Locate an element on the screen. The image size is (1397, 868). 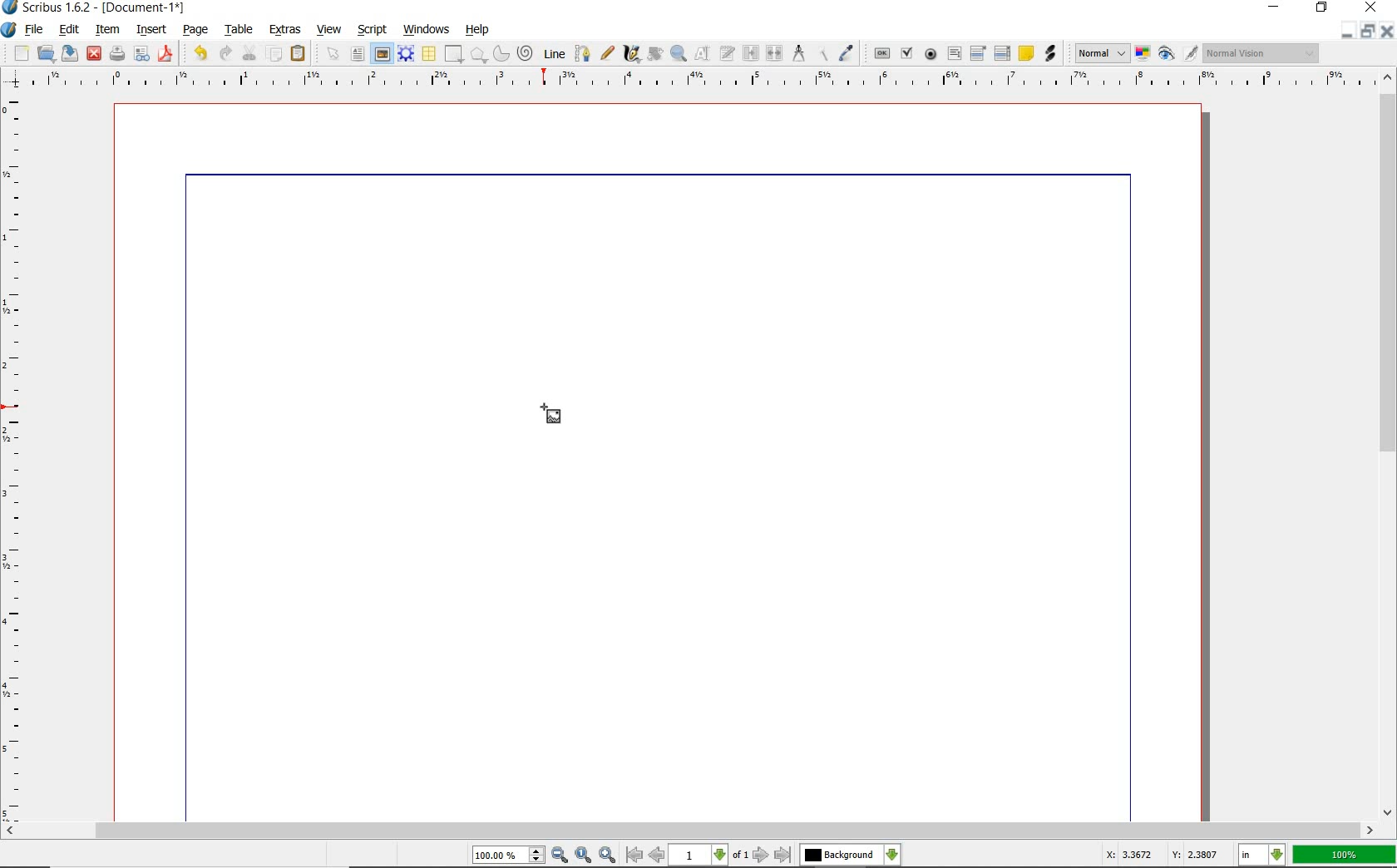
shape is located at coordinates (455, 52).